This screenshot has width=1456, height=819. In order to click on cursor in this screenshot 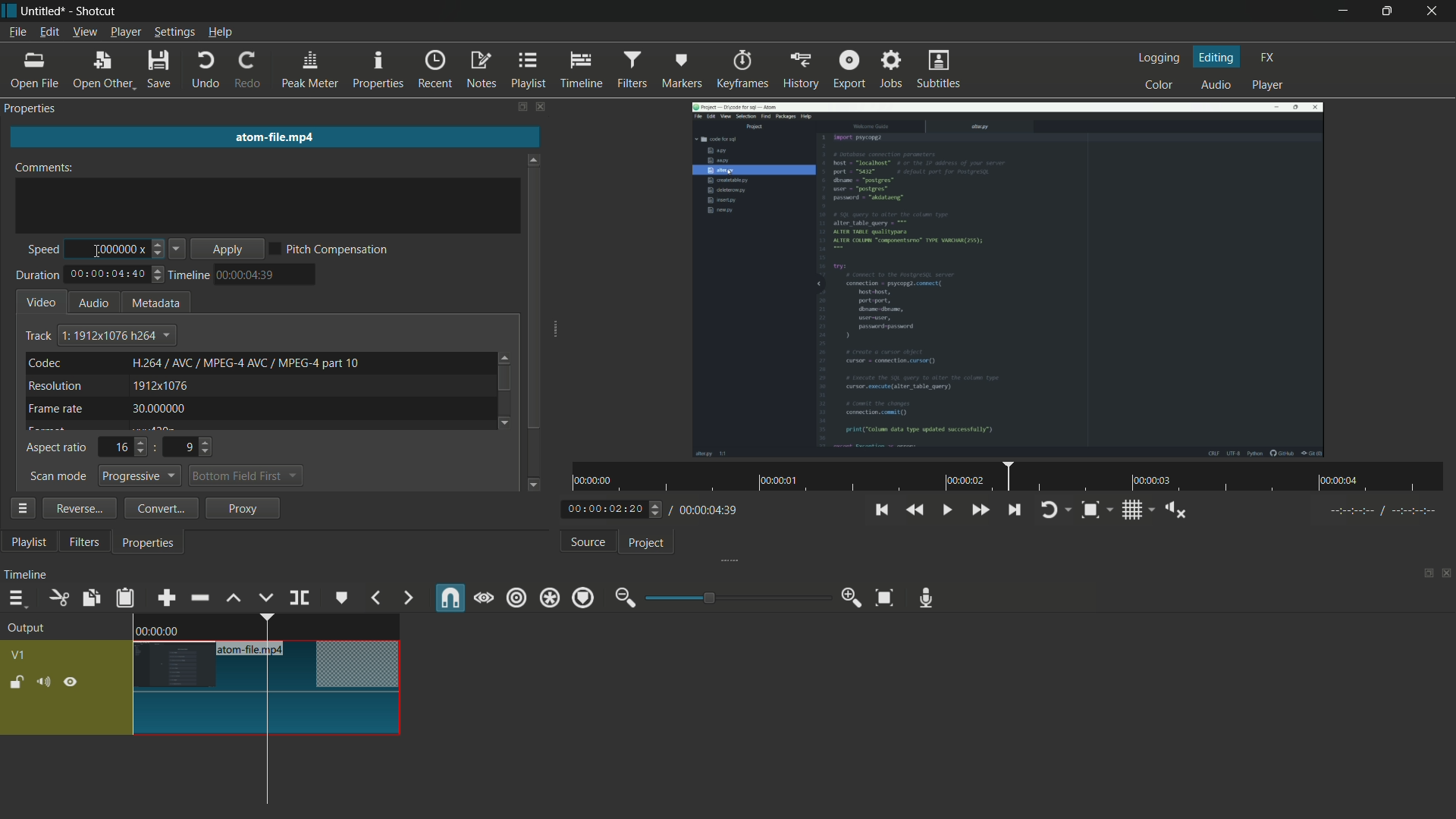, I will do `click(98, 251)`.